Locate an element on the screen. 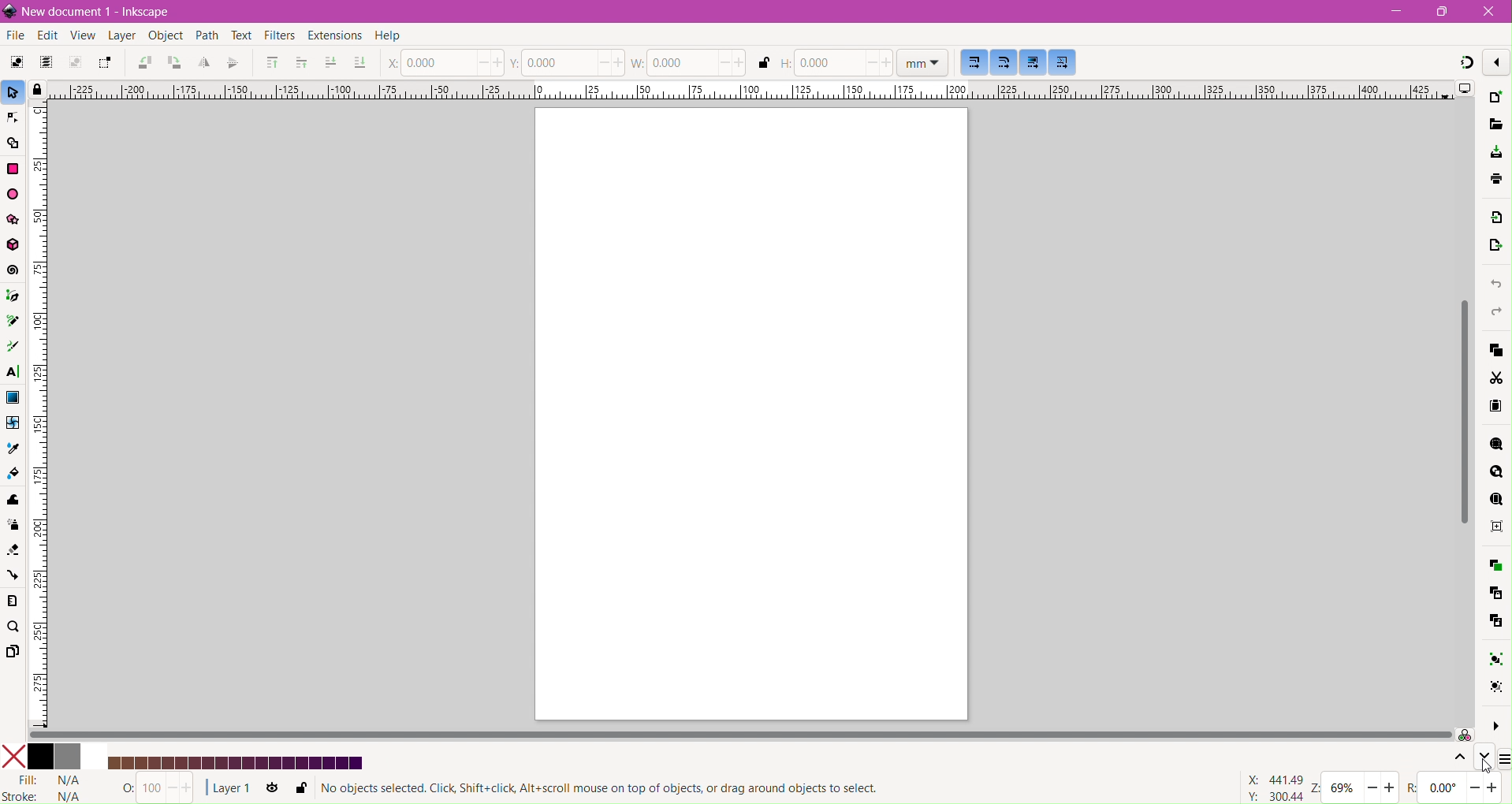 Image resolution: width=1512 pixels, height=804 pixels. Copy is located at coordinates (1495, 350).